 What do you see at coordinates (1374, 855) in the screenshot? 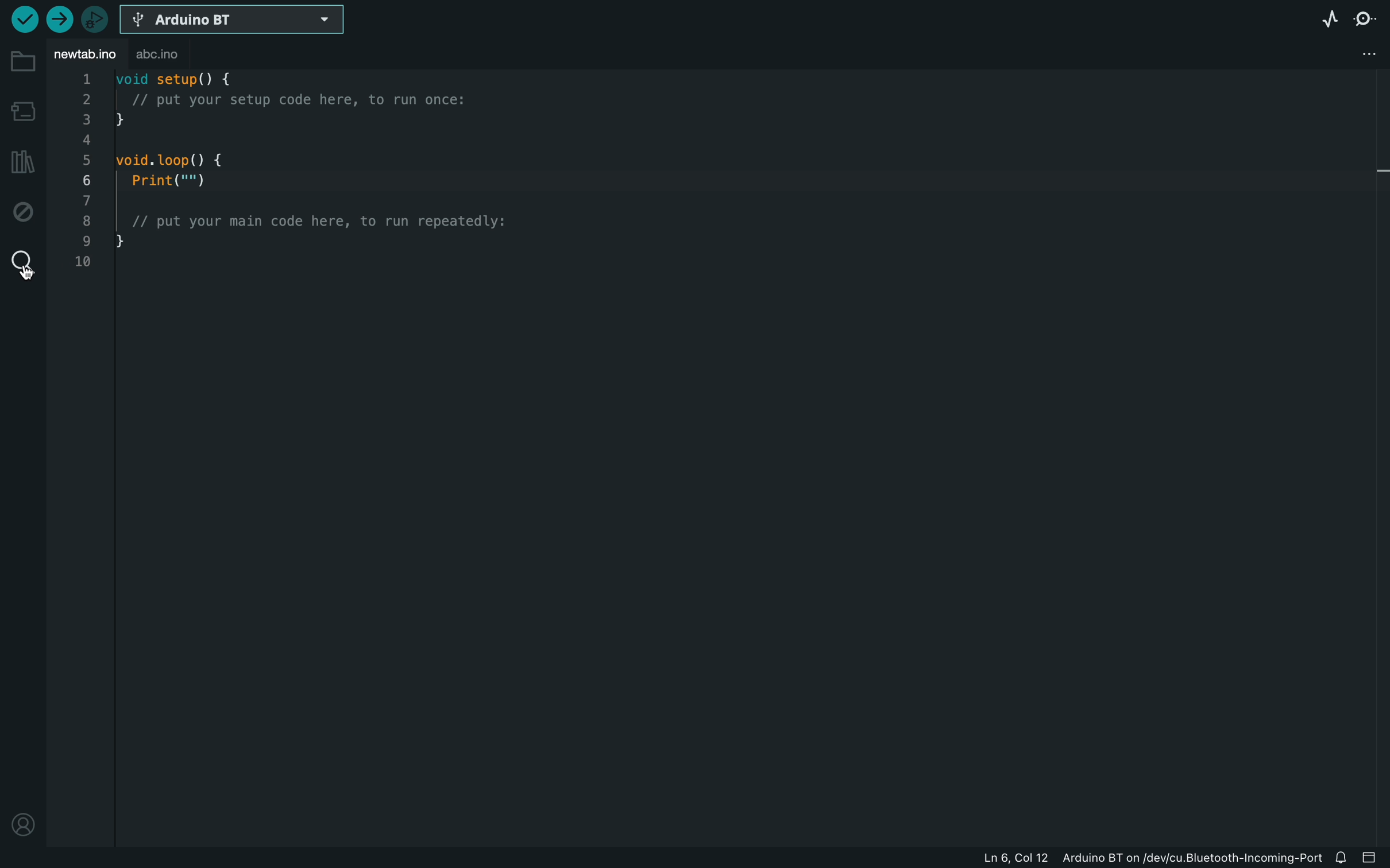
I see `close slide bar` at bounding box center [1374, 855].